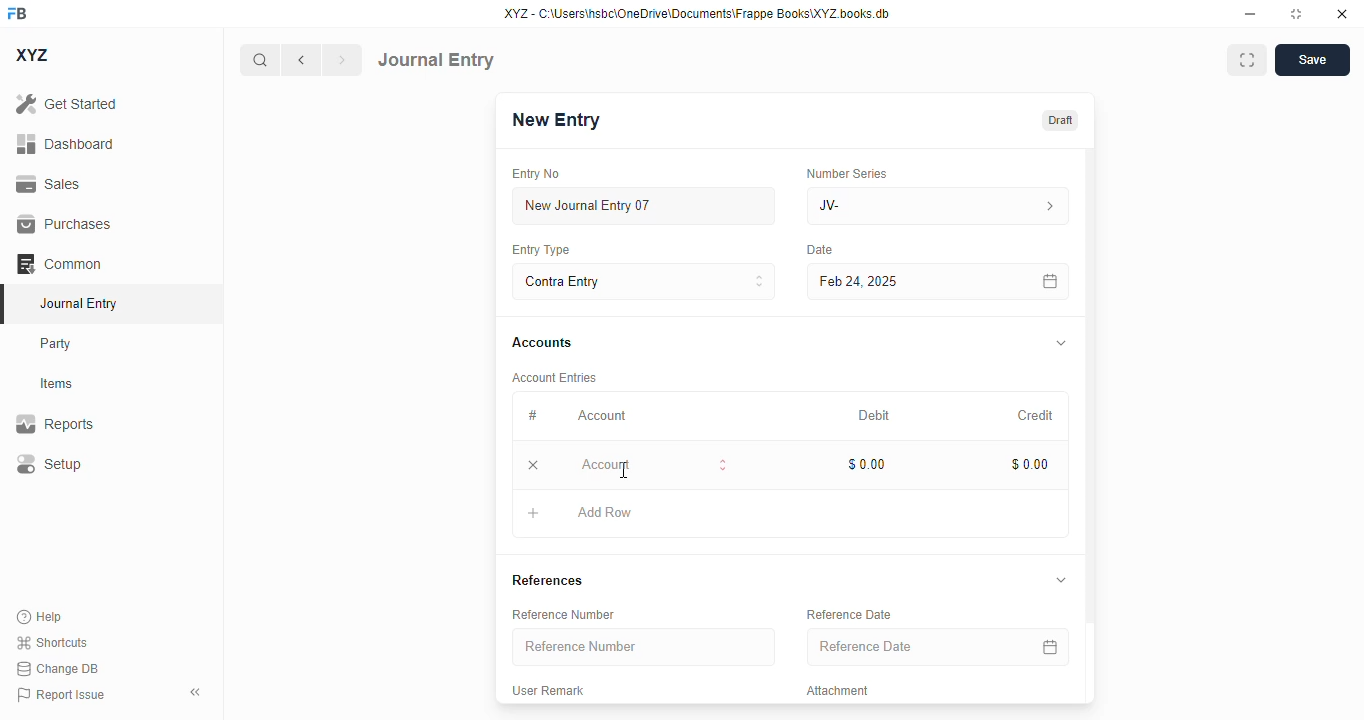  What do you see at coordinates (645, 205) in the screenshot?
I see `new journal entry 07` at bounding box center [645, 205].